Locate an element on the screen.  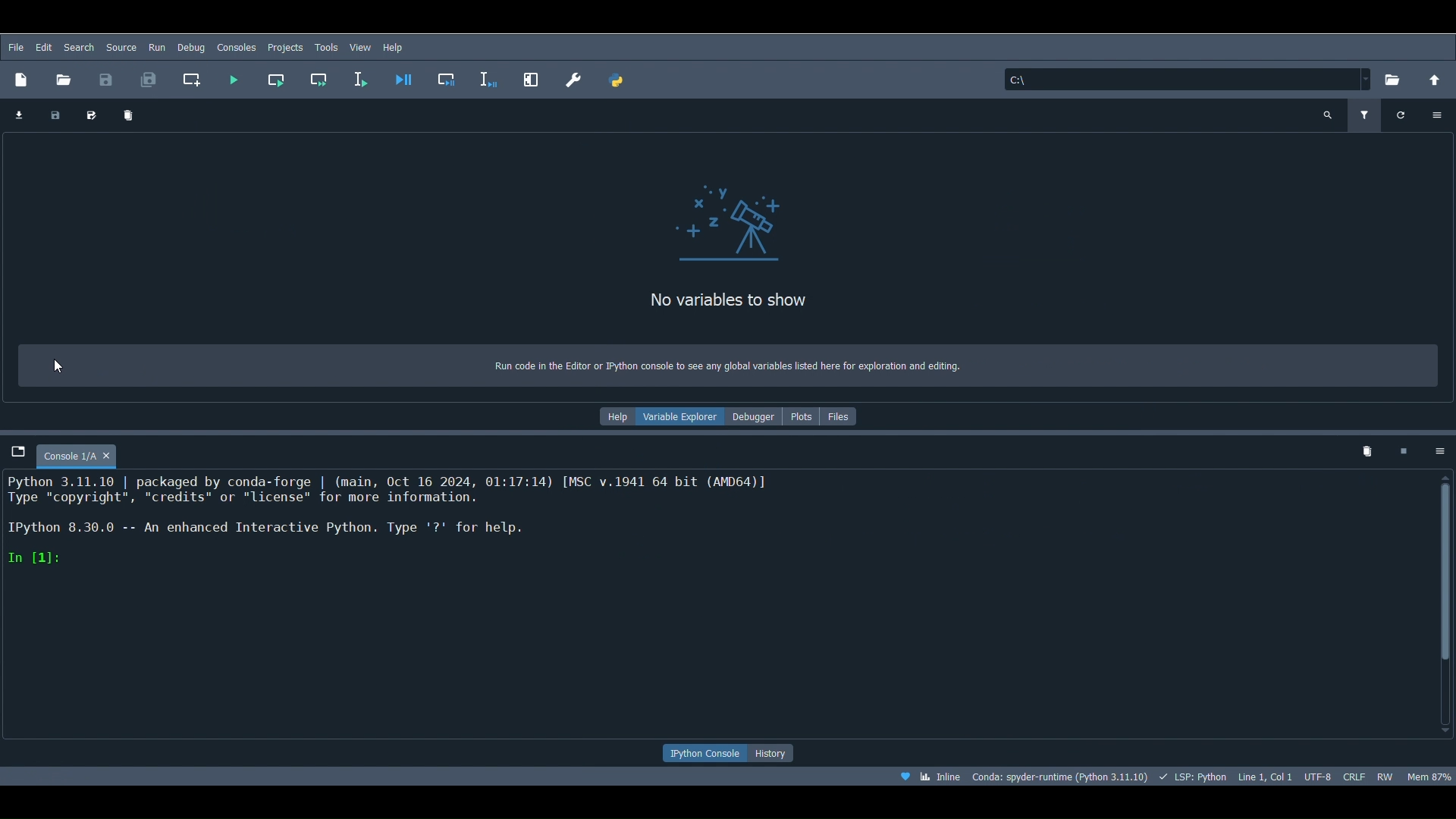
Run file (F5) is located at coordinates (231, 77).